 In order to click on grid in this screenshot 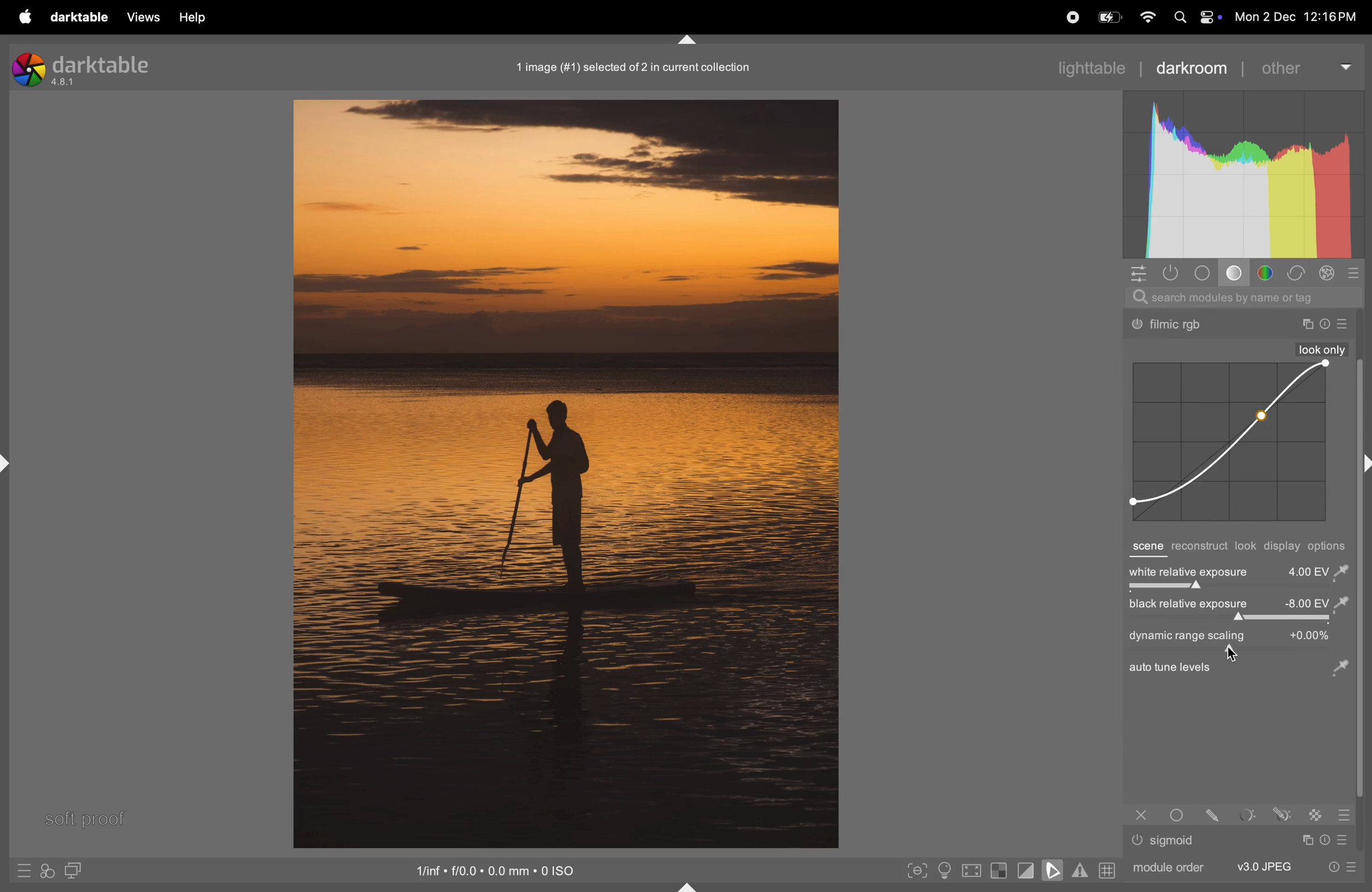, I will do `click(1106, 870)`.